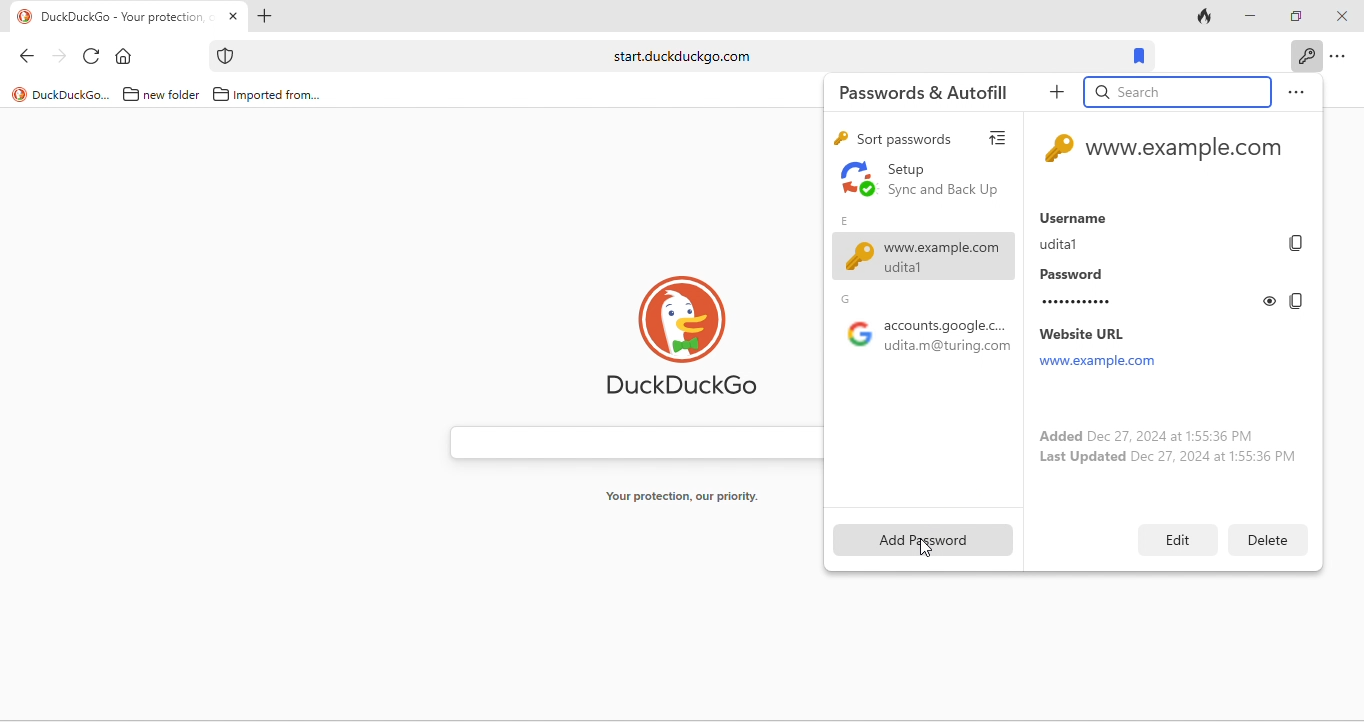  Describe the element at coordinates (1083, 333) in the screenshot. I see `website url` at that location.